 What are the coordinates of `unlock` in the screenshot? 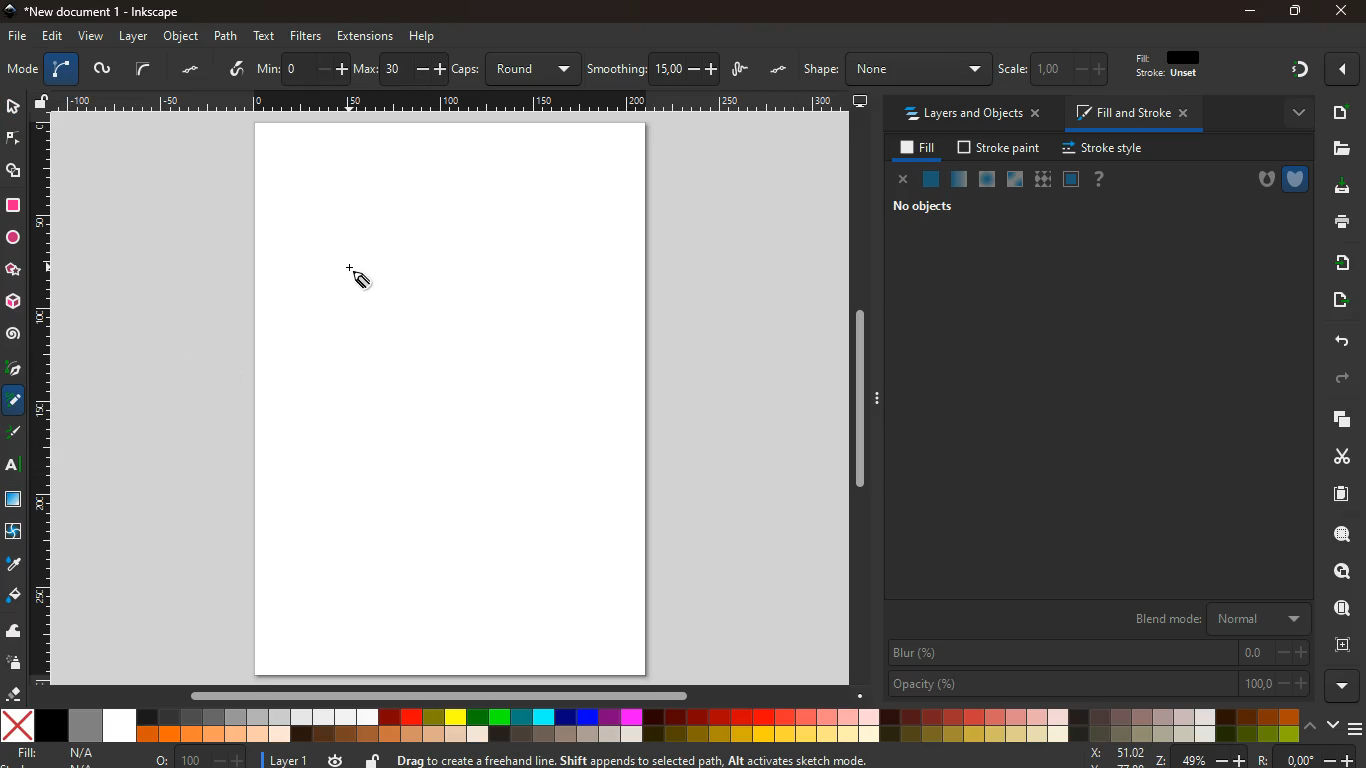 It's located at (44, 102).